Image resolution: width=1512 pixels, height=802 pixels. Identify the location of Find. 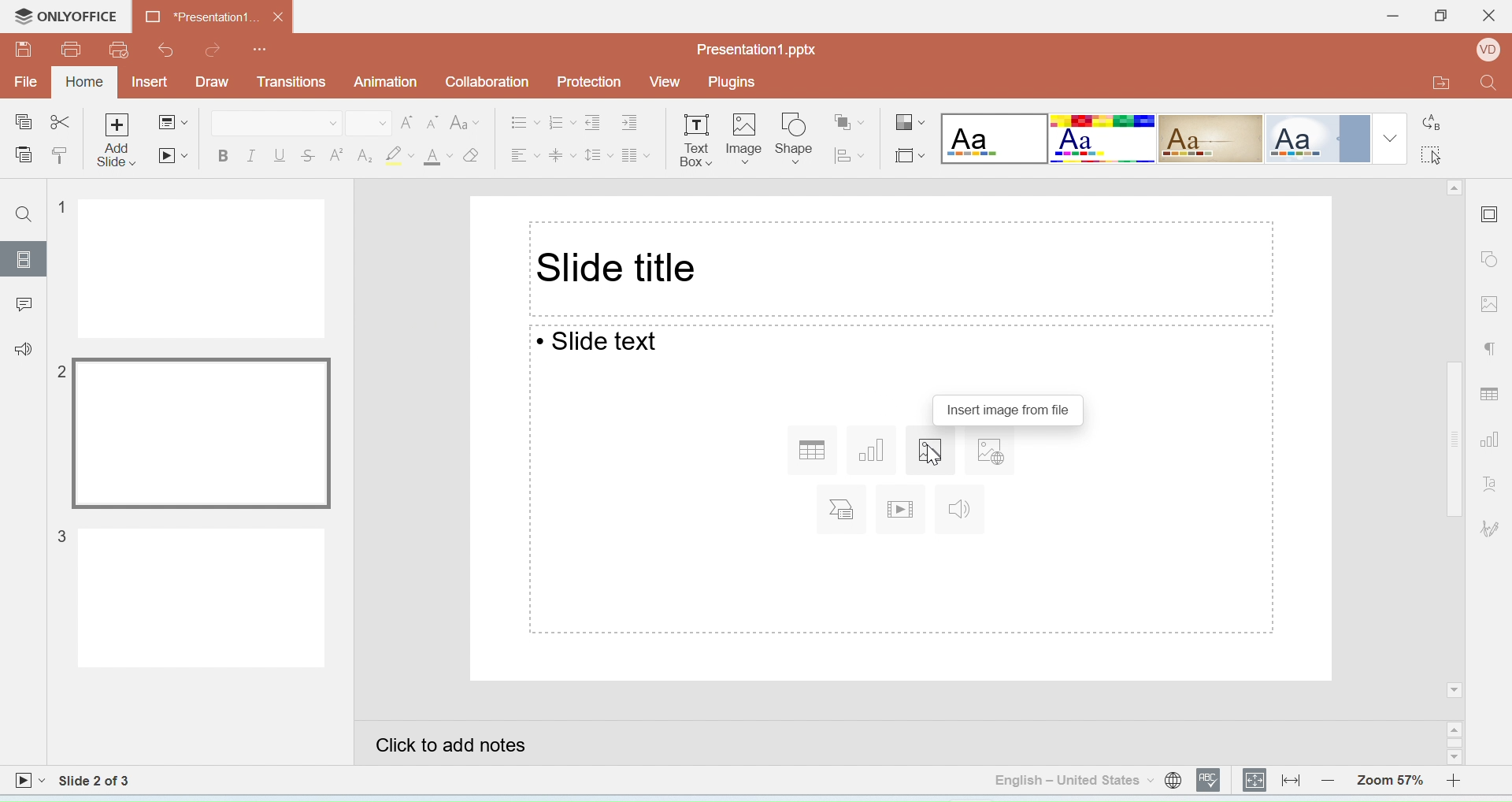
(1489, 87).